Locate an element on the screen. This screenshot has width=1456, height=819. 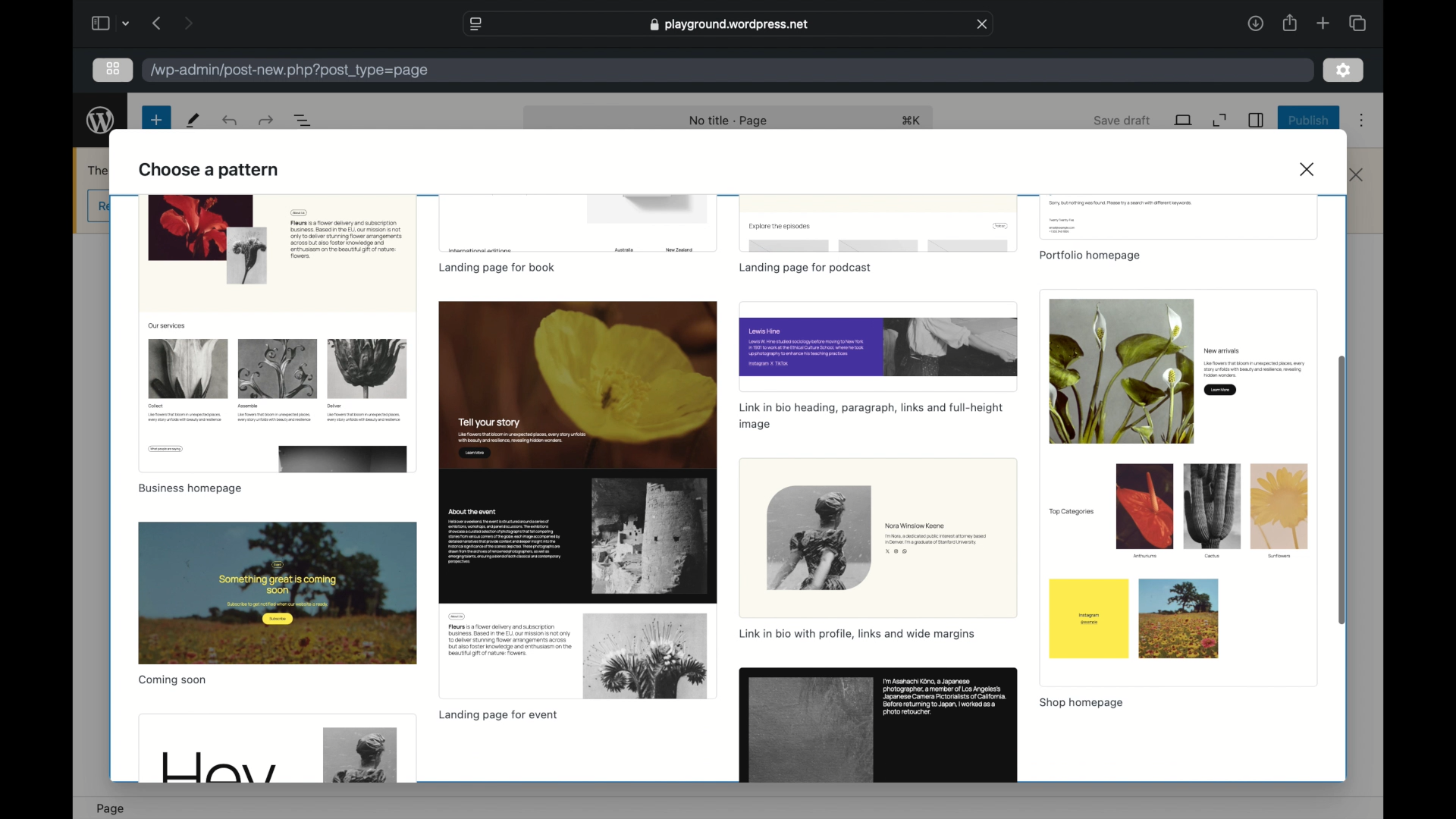
preview is located at coordinates (1177, 488).